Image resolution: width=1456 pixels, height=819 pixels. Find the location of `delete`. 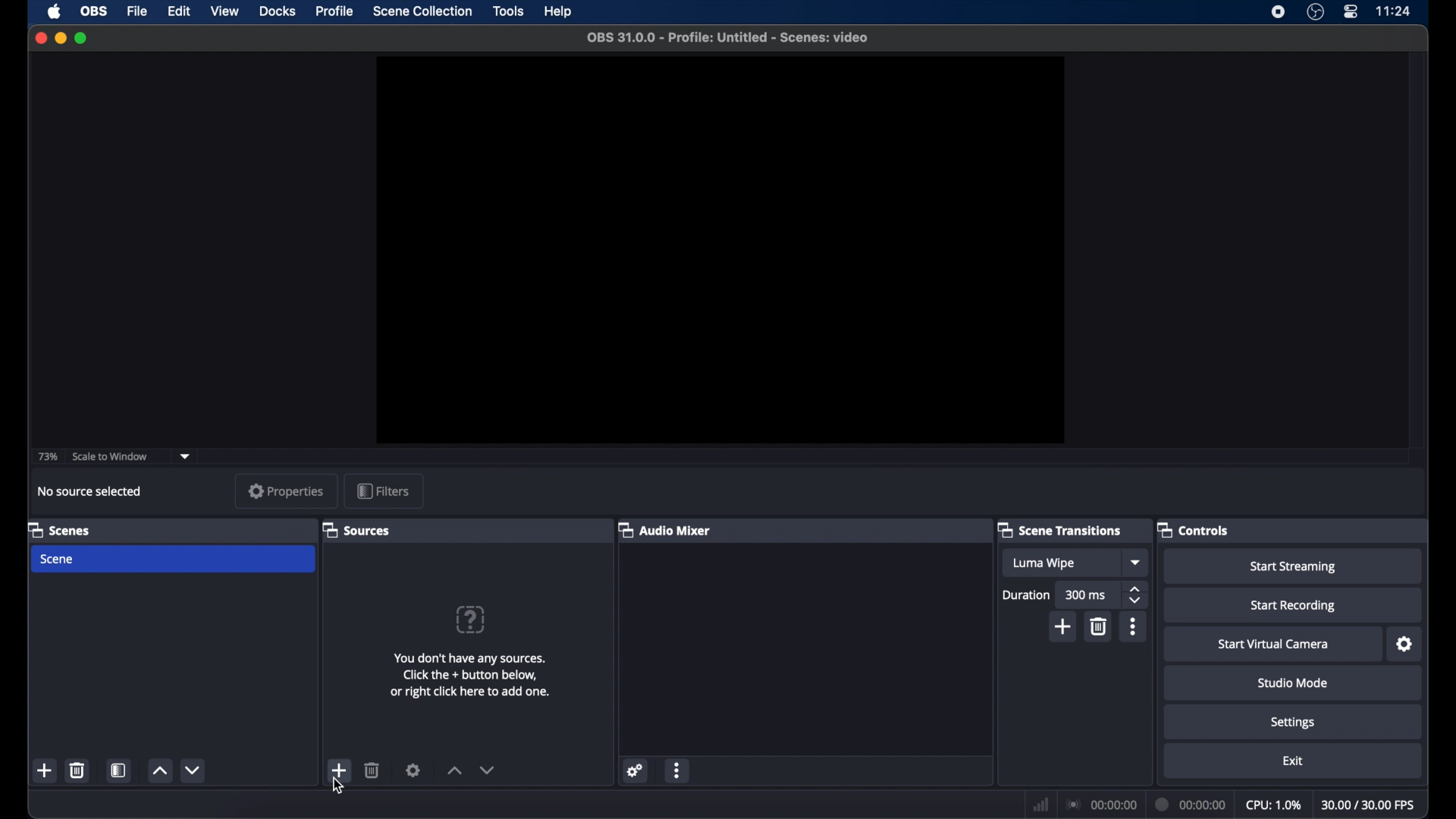

delete is located at coordinates (372, 770).